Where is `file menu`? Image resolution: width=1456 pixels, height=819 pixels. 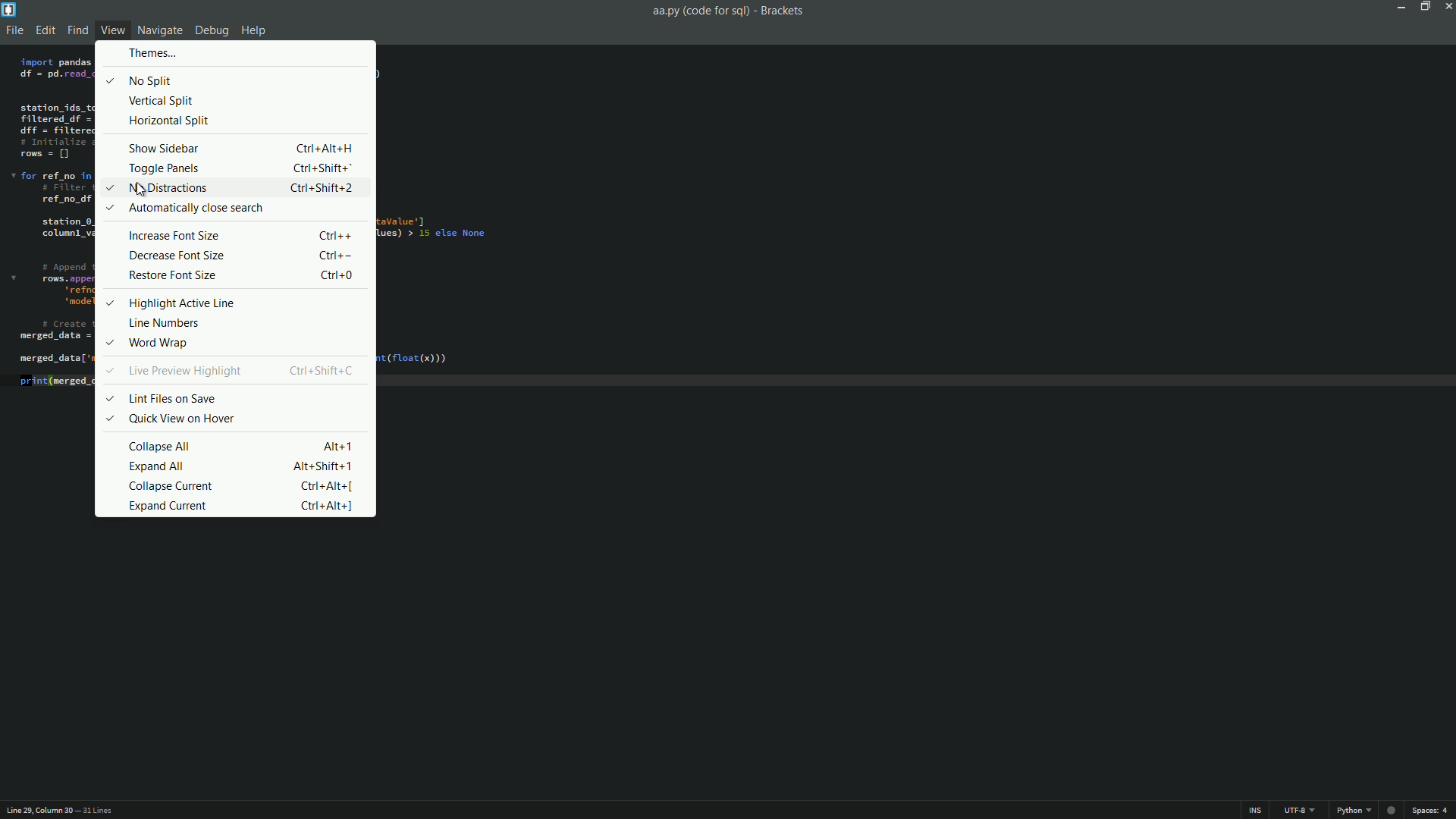 file menu is located at coordinates (15, 30).